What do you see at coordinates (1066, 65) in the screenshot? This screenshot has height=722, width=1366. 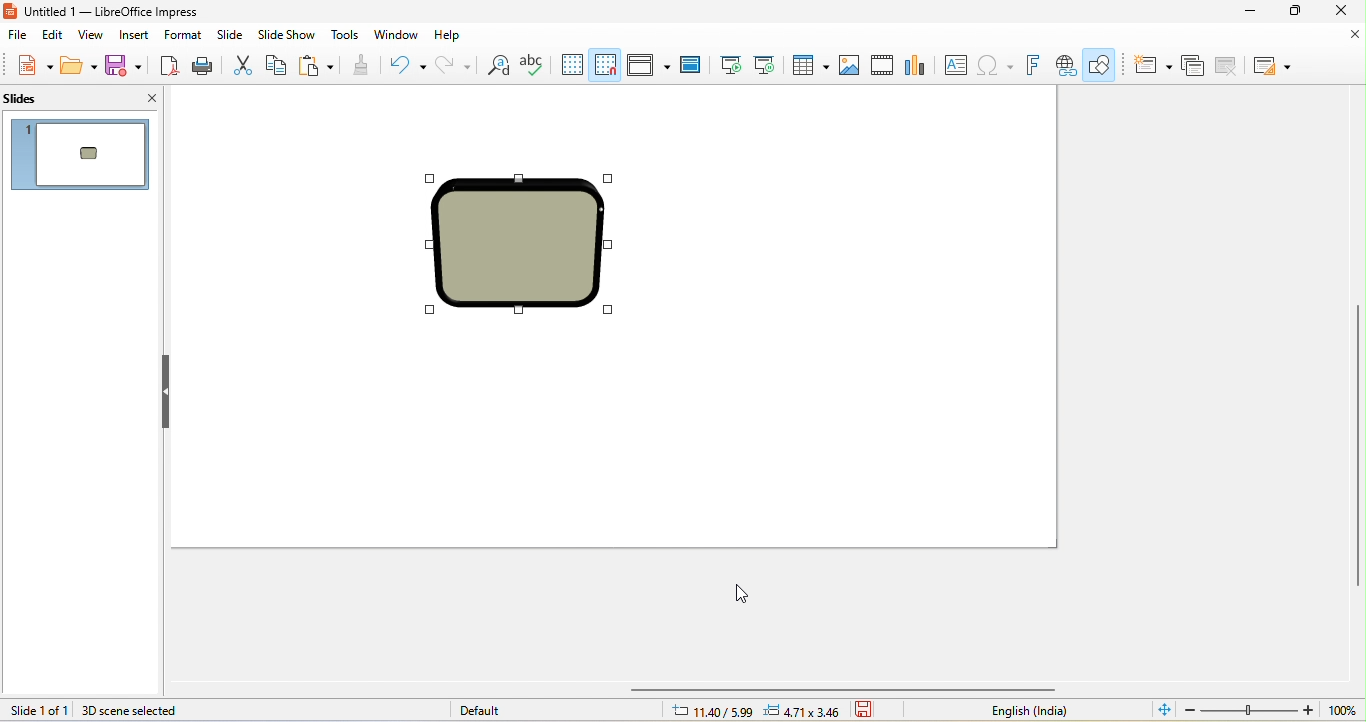 I see `hyperlink` at bounding box center [1066, 65].